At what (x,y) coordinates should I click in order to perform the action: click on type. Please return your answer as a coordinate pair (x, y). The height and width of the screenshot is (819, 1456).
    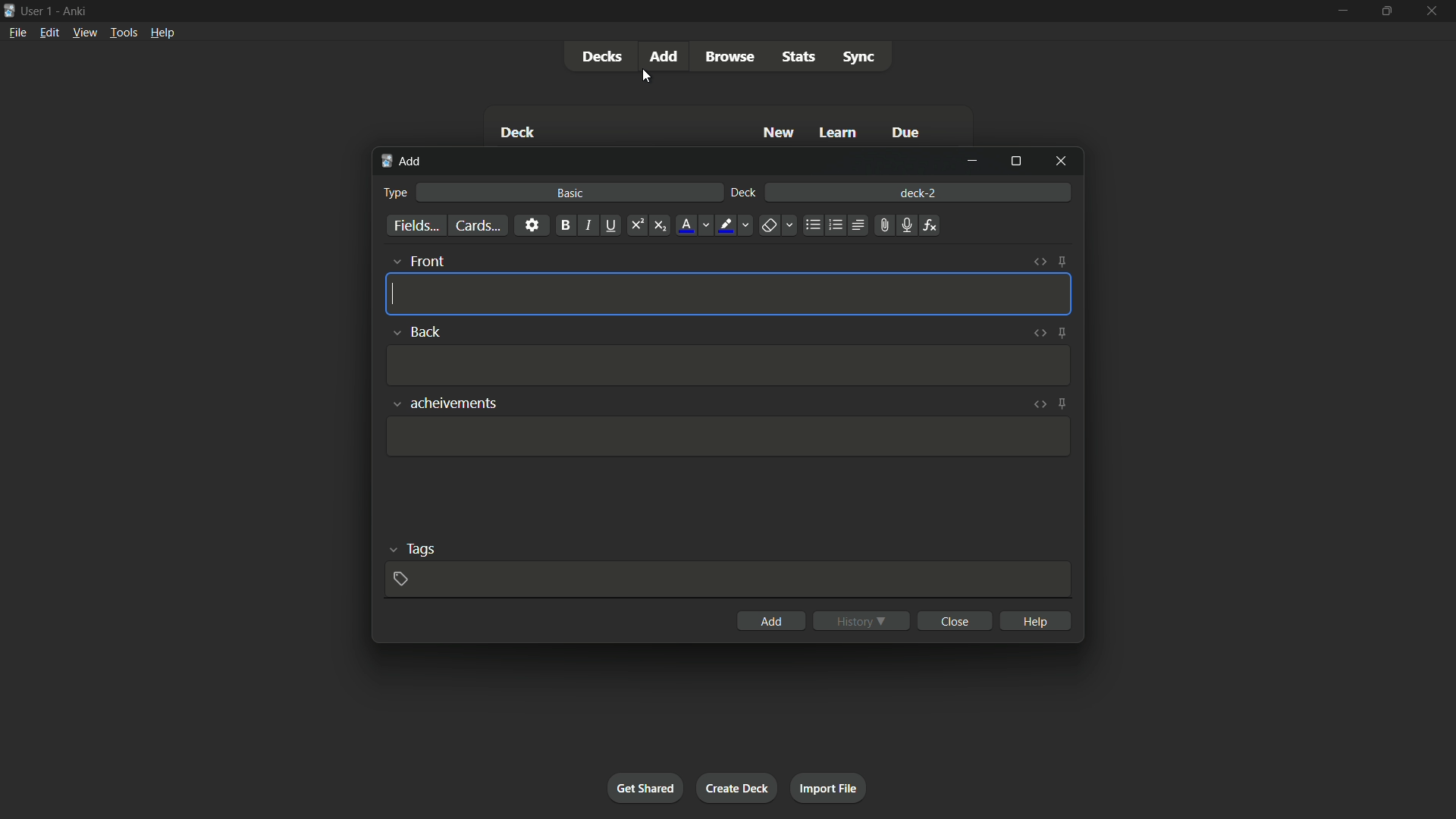
    Looking at the image, I should click on (395, 193).